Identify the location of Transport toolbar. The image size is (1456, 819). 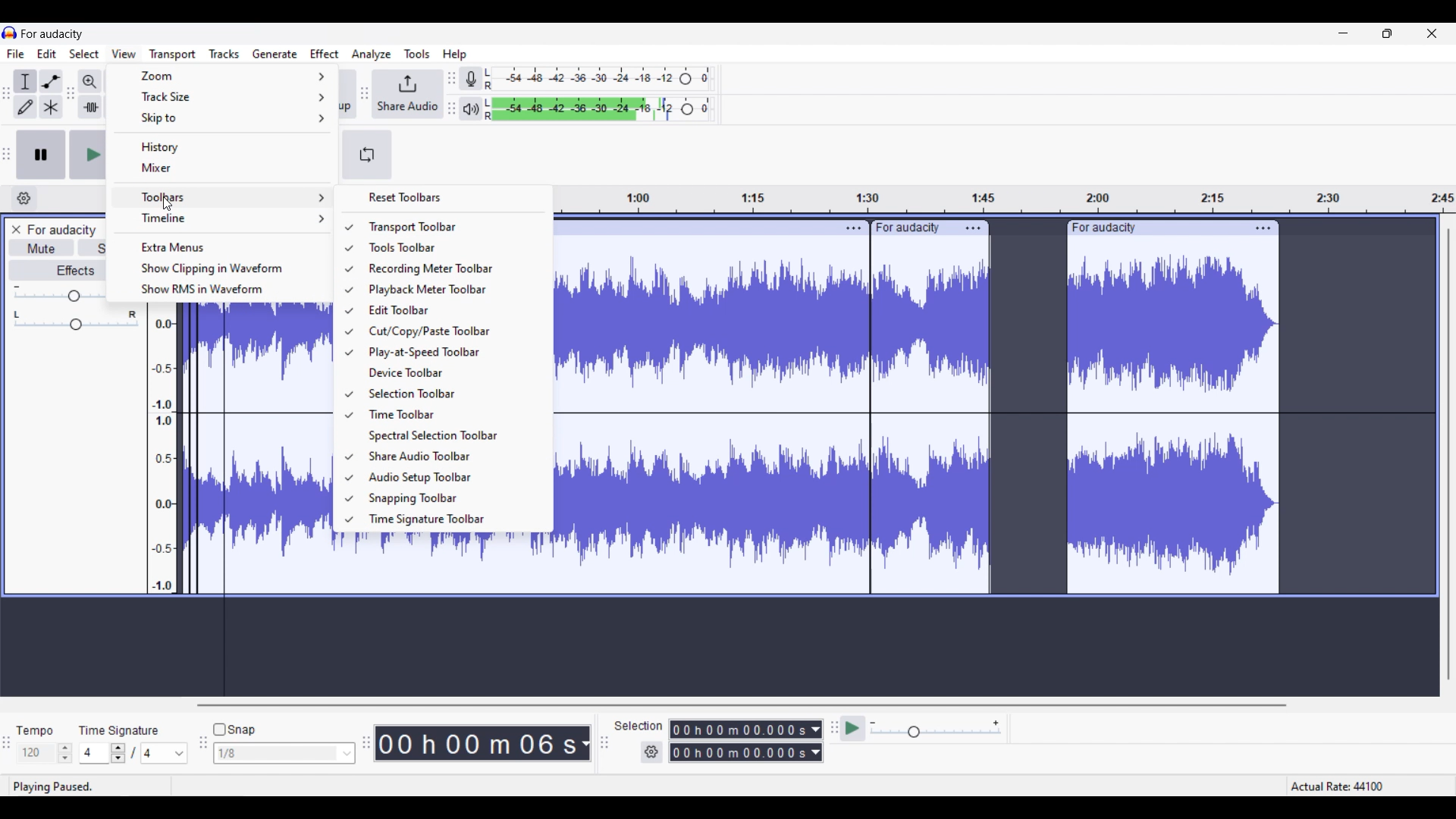
(451, 227).